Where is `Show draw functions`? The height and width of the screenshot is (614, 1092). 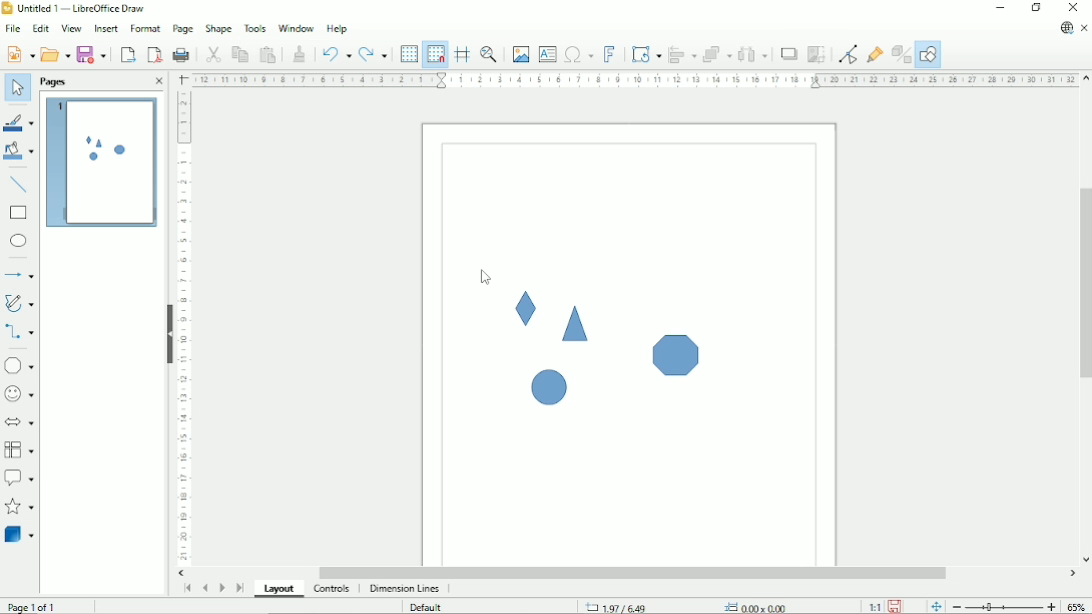 Show draw functions is located at coordinates (929, 53).